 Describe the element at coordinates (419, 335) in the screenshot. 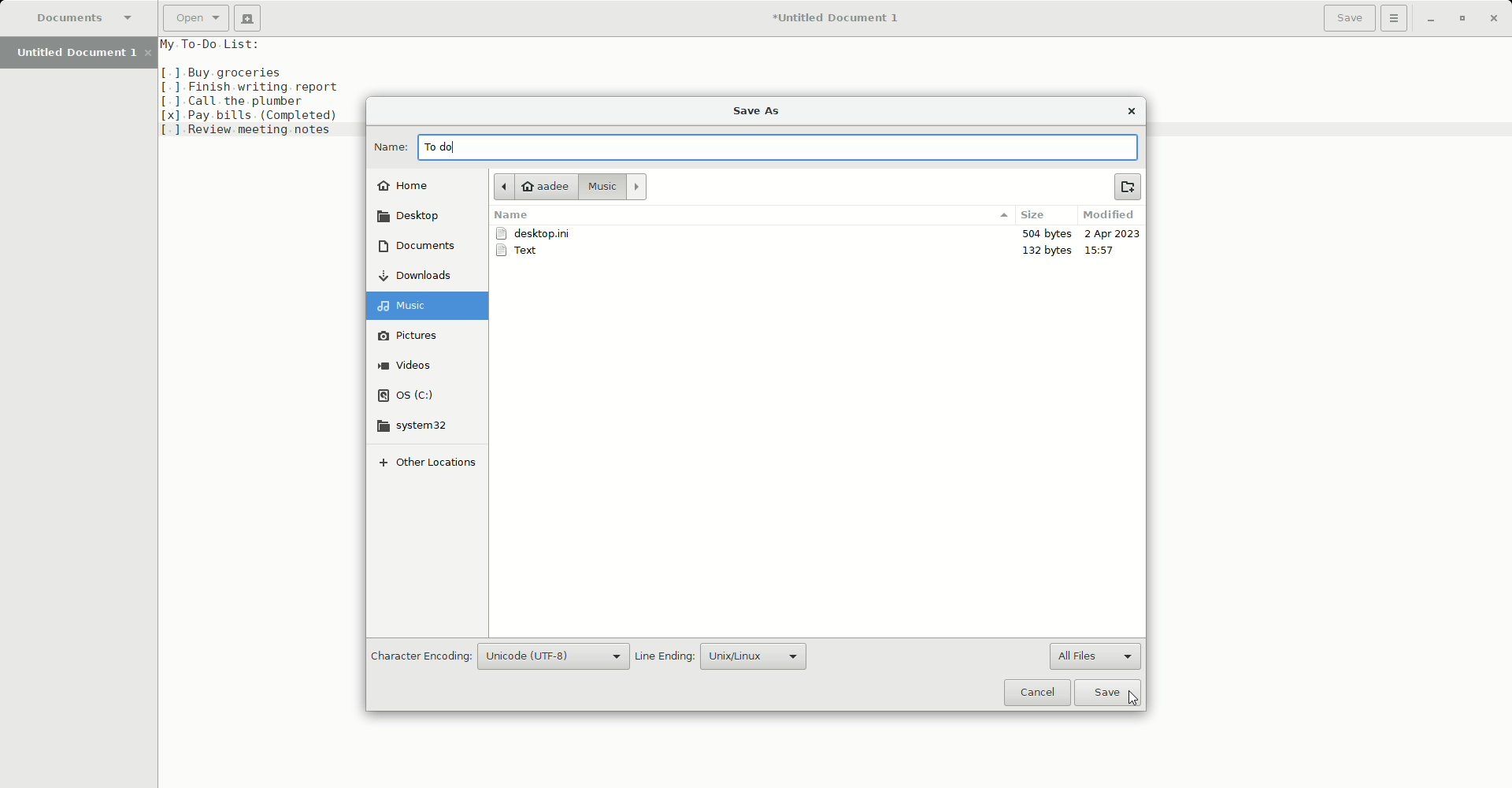

I see `Pictures` at that location.